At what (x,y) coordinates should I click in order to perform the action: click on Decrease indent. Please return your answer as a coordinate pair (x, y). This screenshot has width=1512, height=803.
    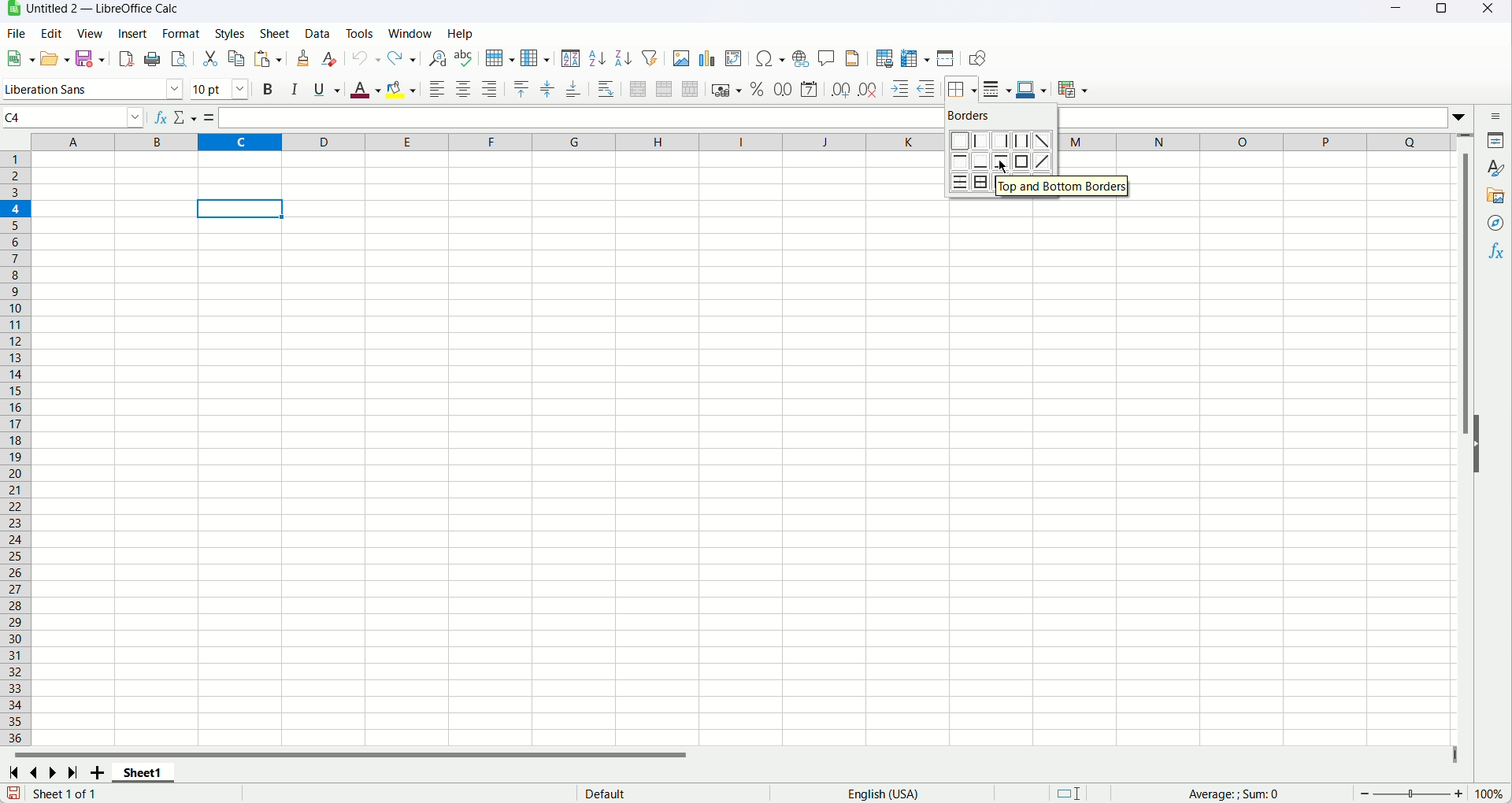
    Looking at the image, I should click on (927, 89).